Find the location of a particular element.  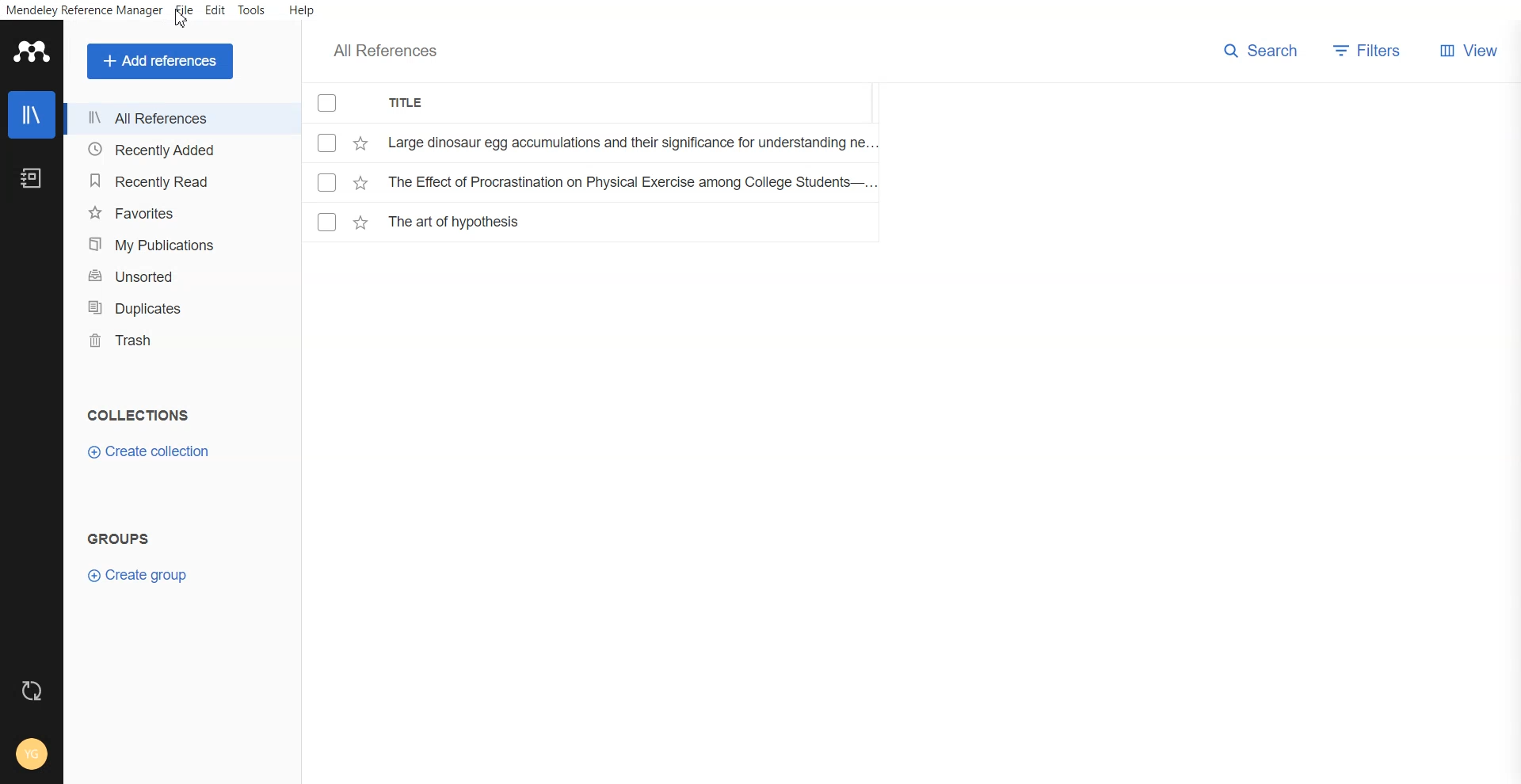

Tools is located at coordinates (252, 11).